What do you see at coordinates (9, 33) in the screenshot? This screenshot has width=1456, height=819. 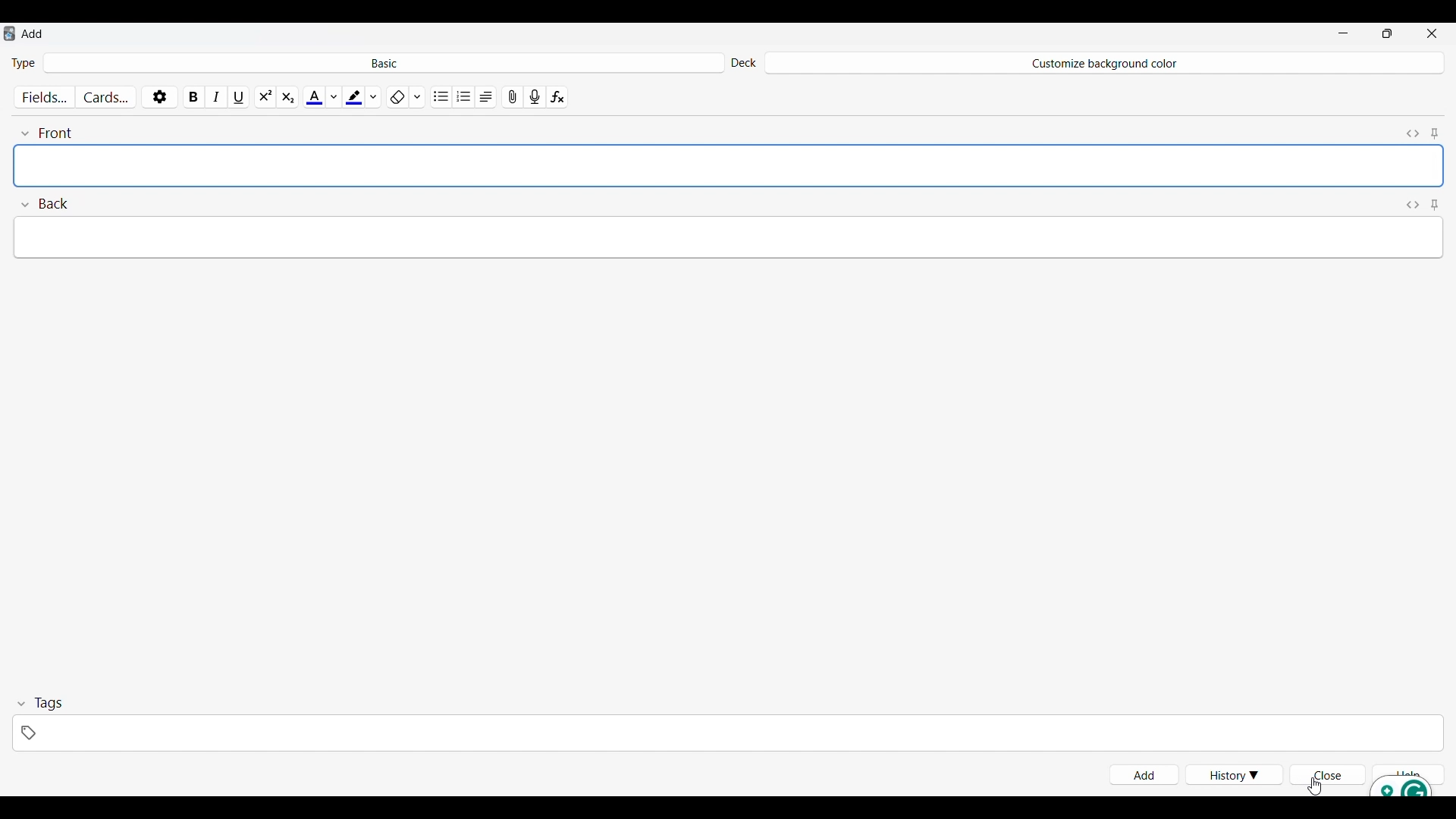 I see `Software logo` at bounding box center [9, 33].